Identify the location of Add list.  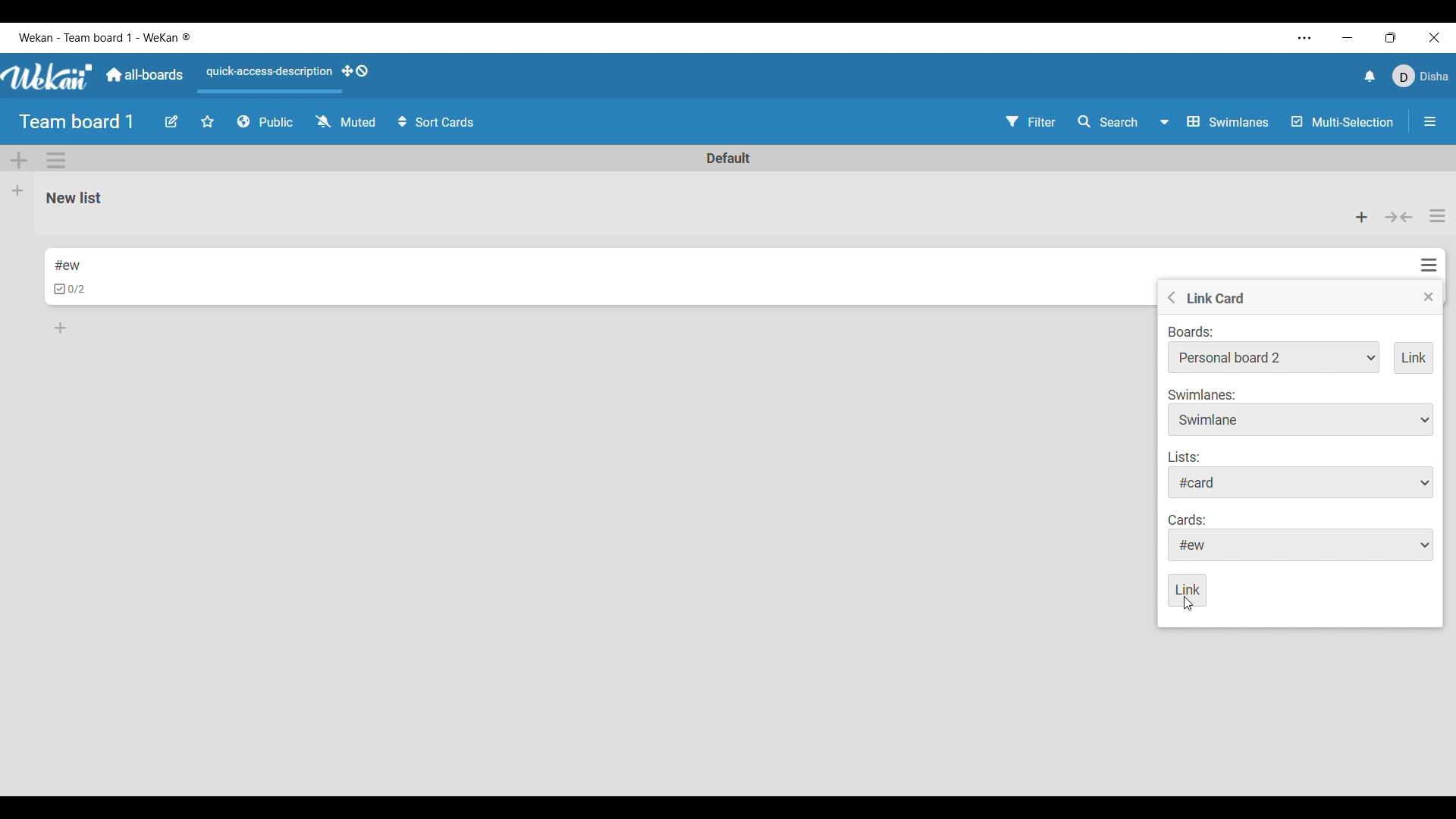
(18, 191).